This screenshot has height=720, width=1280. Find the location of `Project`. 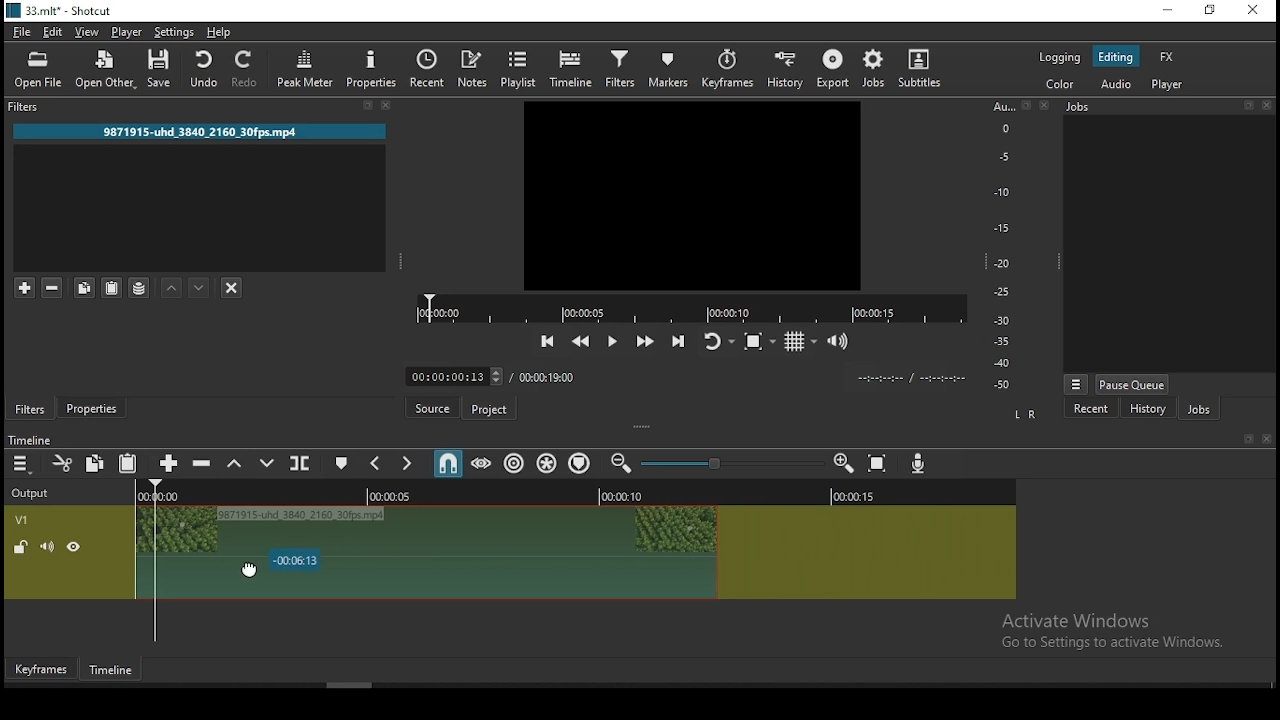

Project is located at coordinates (488, 407).